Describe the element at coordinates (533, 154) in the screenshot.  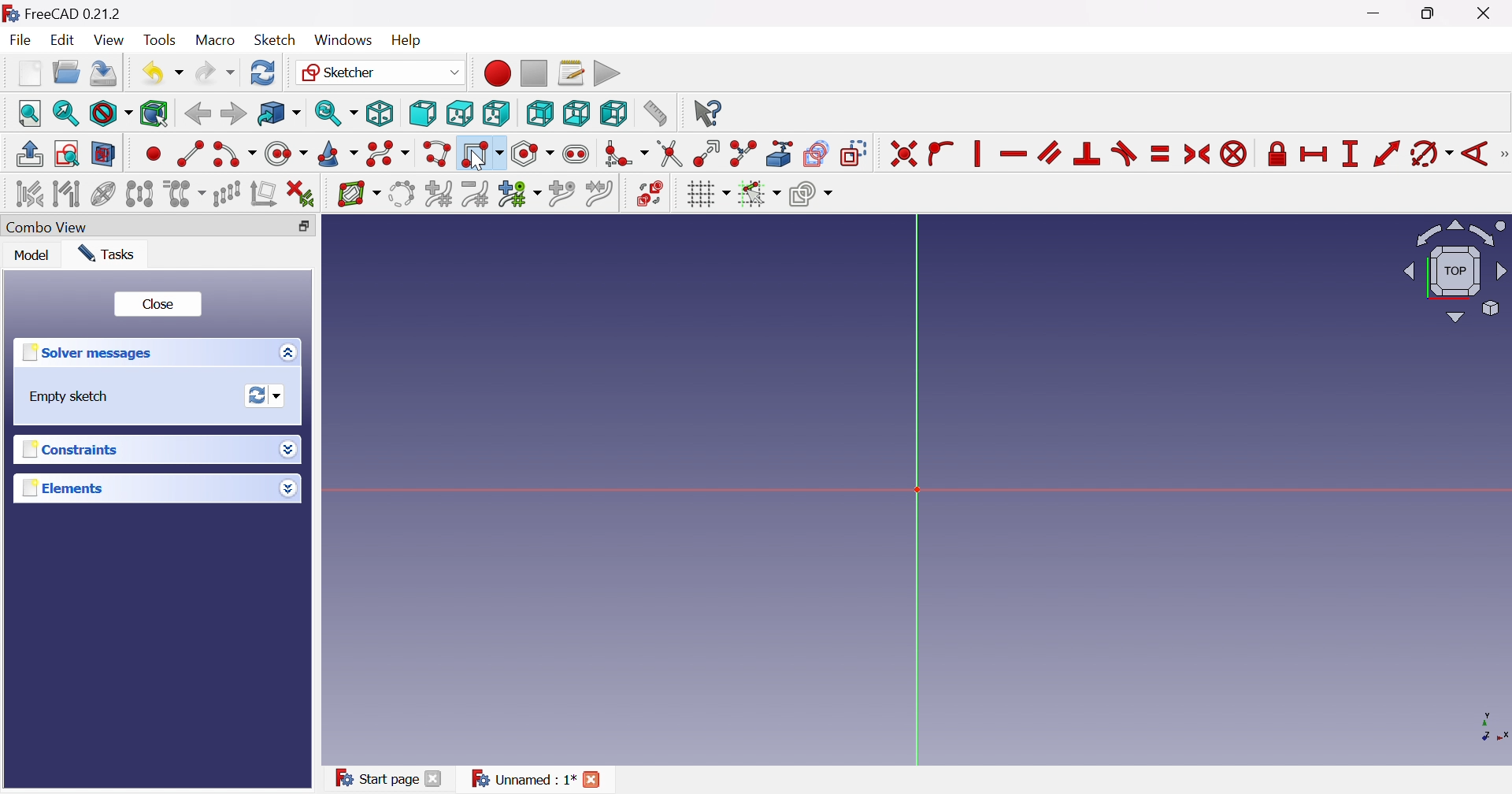
I see `Create regular polygon` at that location.